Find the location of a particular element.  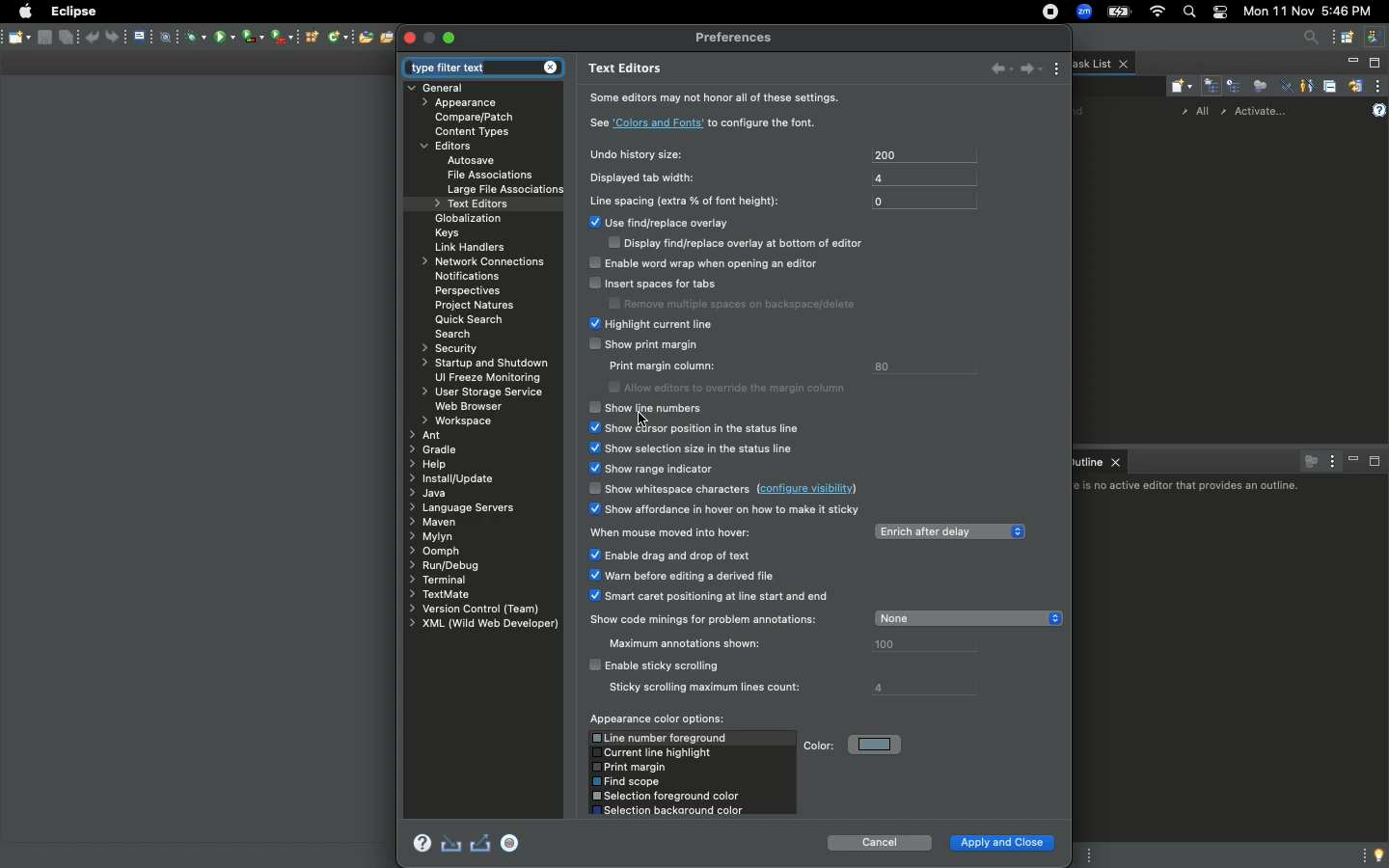

Rury debug is located at coordinates (446, 564).